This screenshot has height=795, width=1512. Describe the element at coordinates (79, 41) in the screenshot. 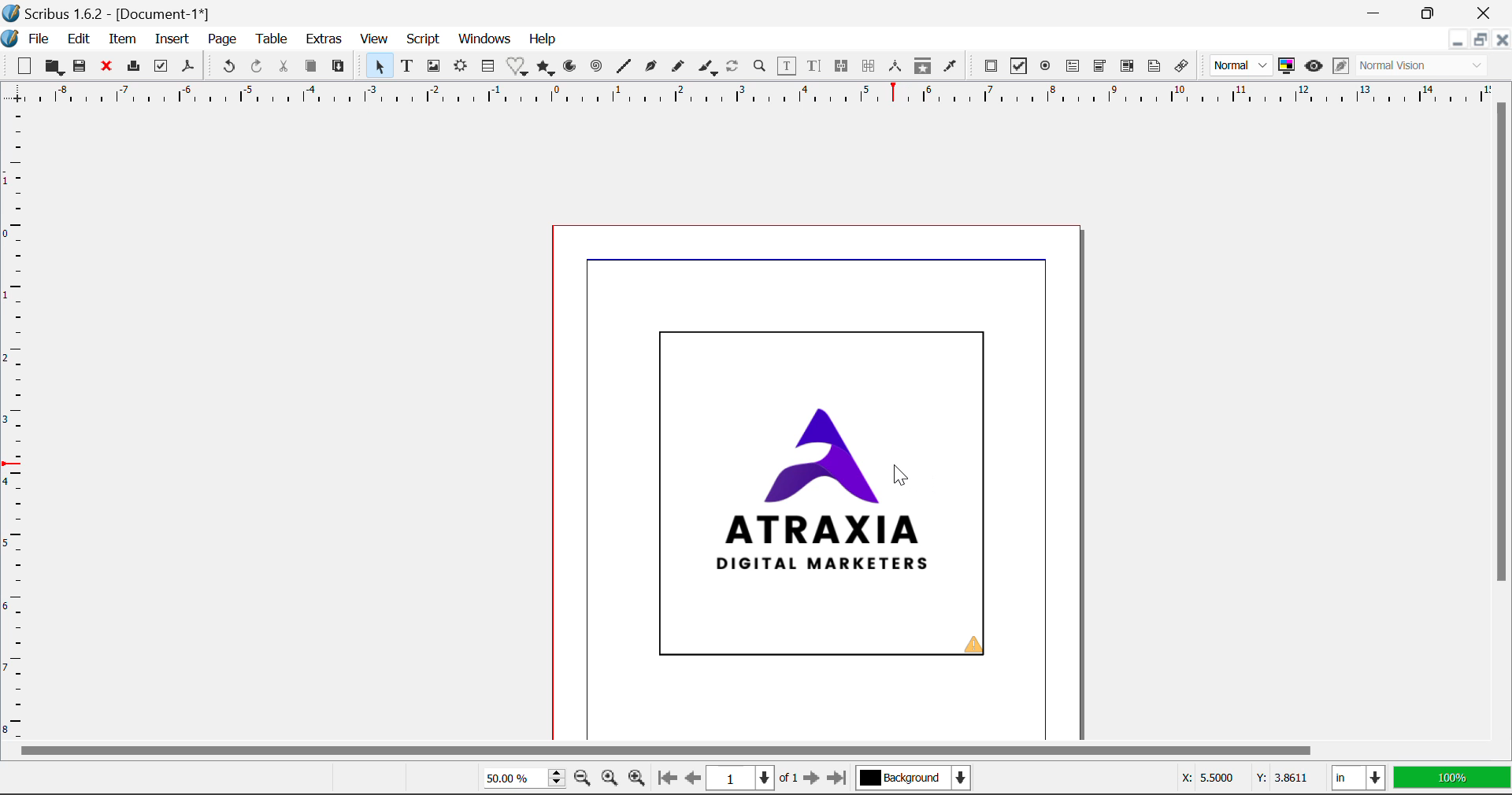

I see `Edit` at that location.